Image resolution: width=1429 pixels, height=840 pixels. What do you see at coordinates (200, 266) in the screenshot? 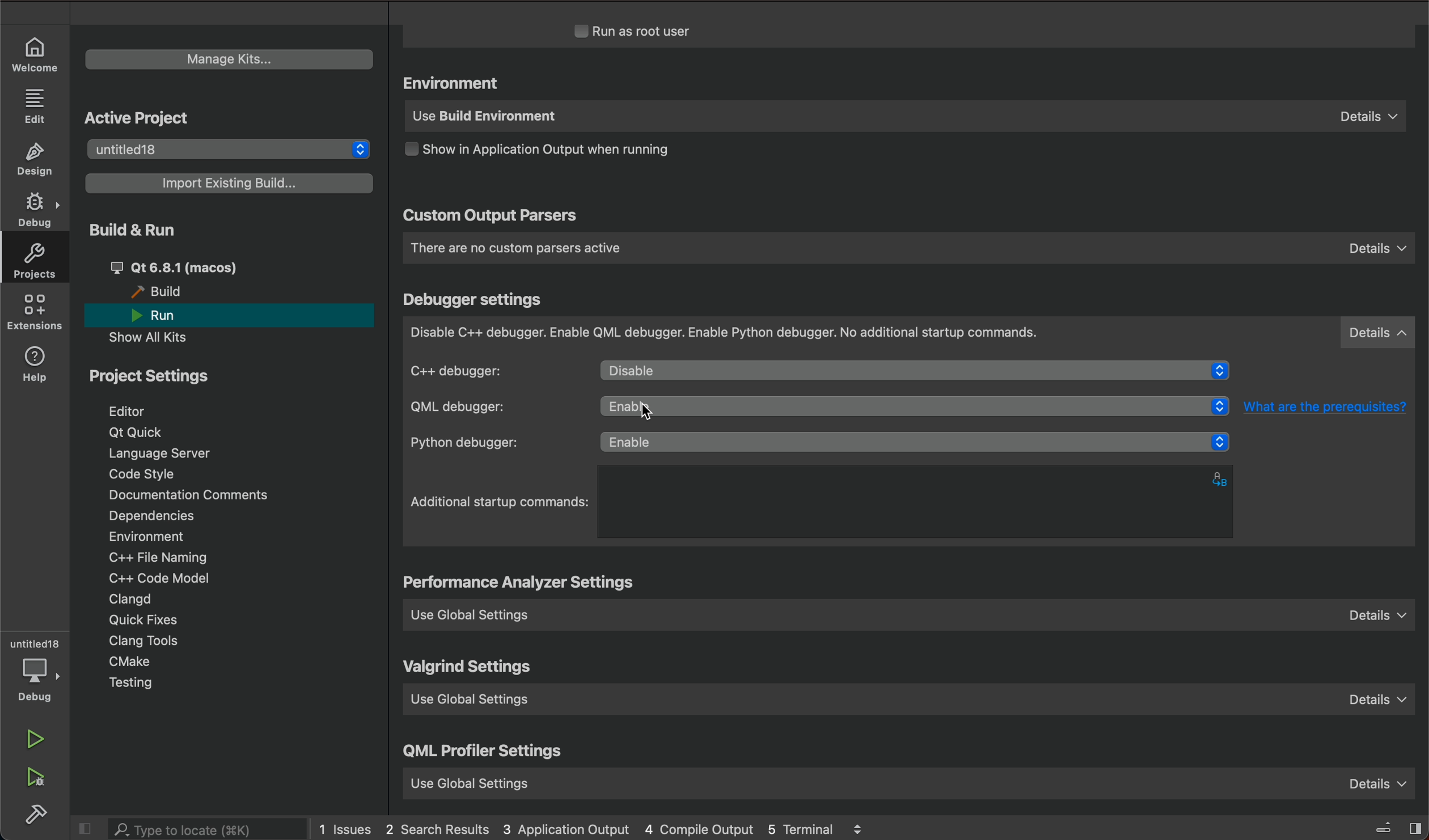
I see `qt` at bounding box center [200, 266].